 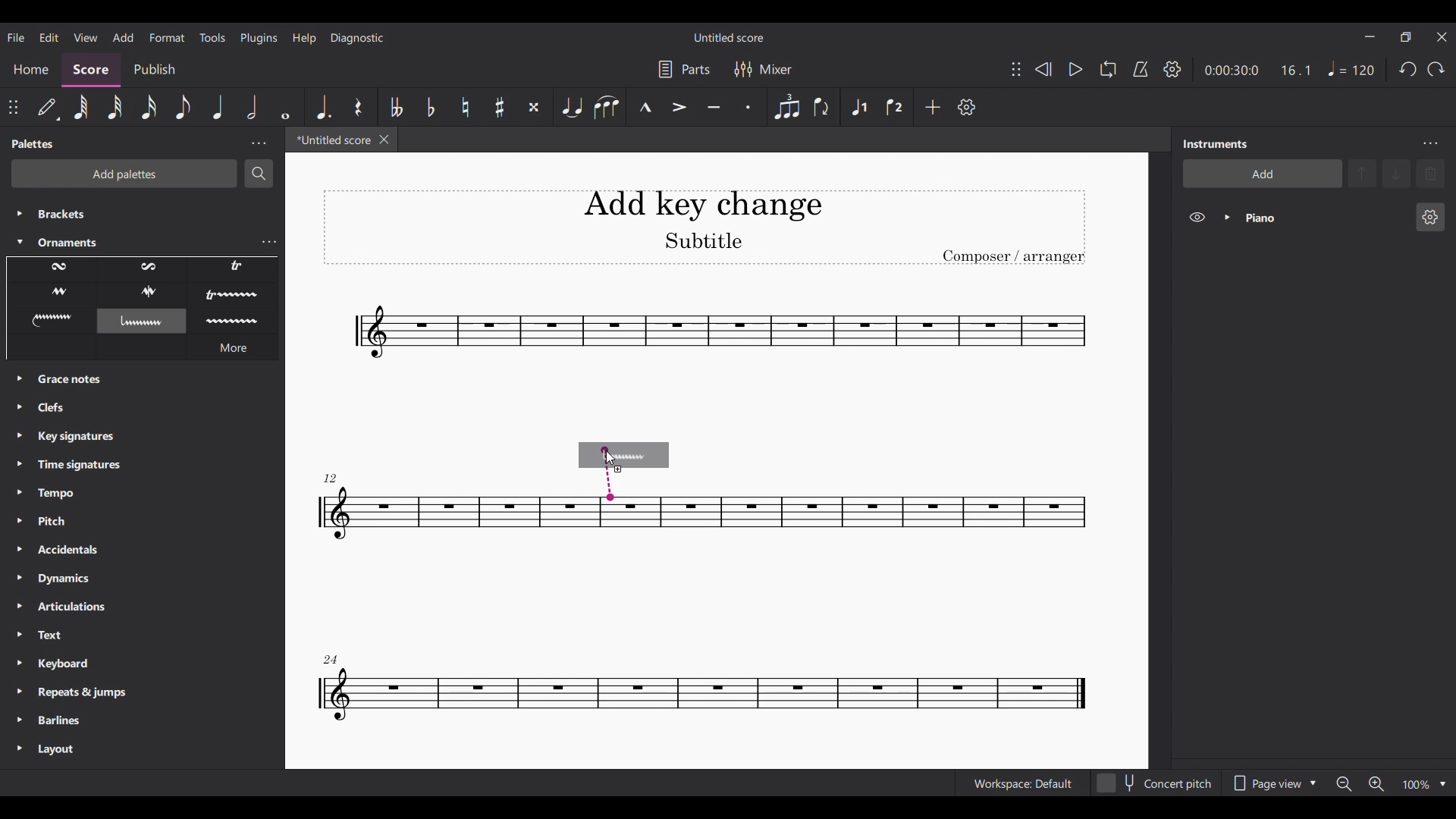 What do you see at coordinates (1442, 38) in the screenshot?
I see `Close interface` at bounding box center [1442, 38].